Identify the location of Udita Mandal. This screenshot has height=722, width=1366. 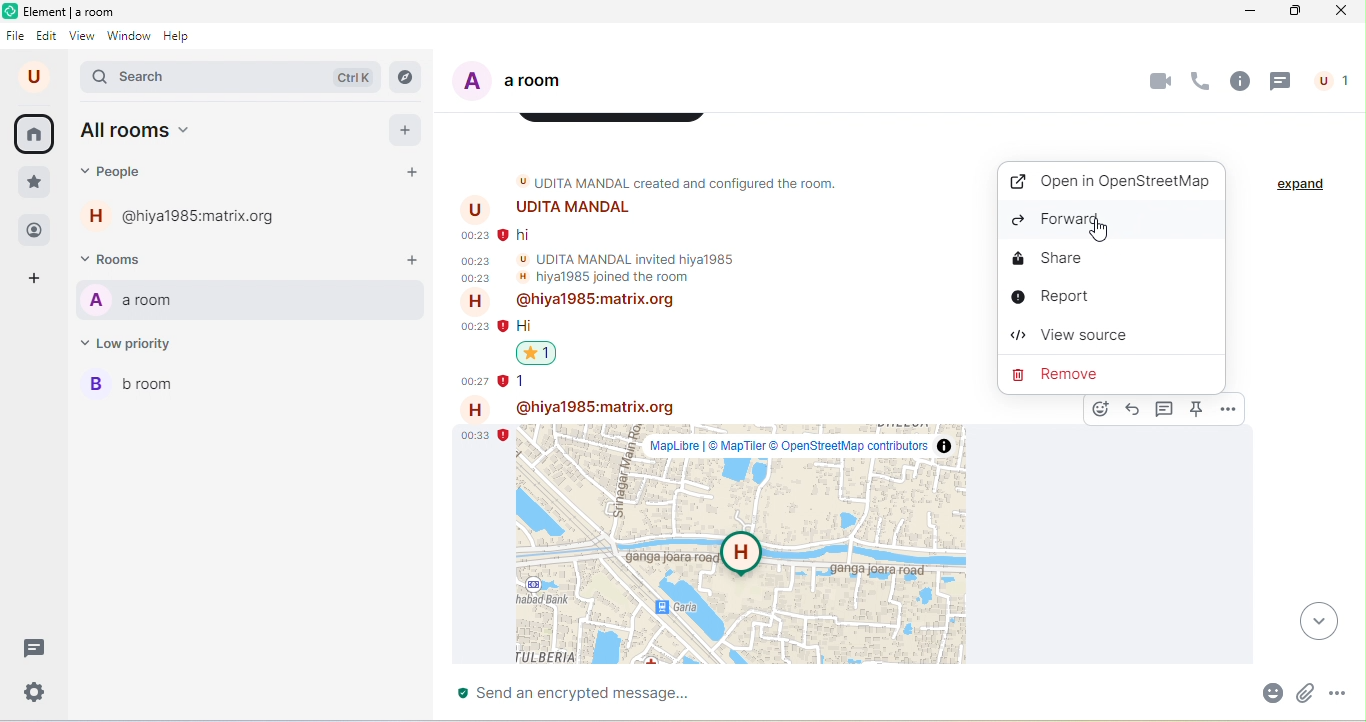
(545, 209).